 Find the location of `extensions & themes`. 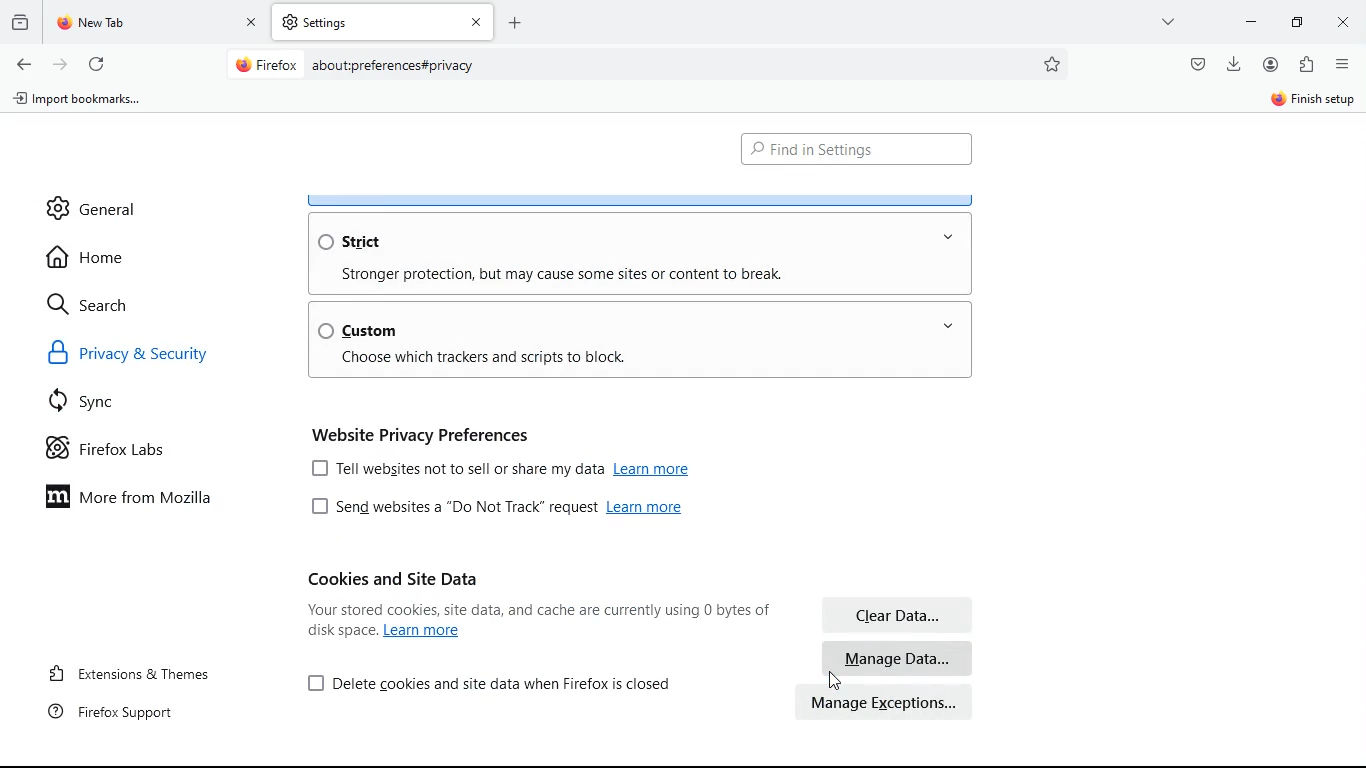

extensions & themes is located at coordinates (147, 670).